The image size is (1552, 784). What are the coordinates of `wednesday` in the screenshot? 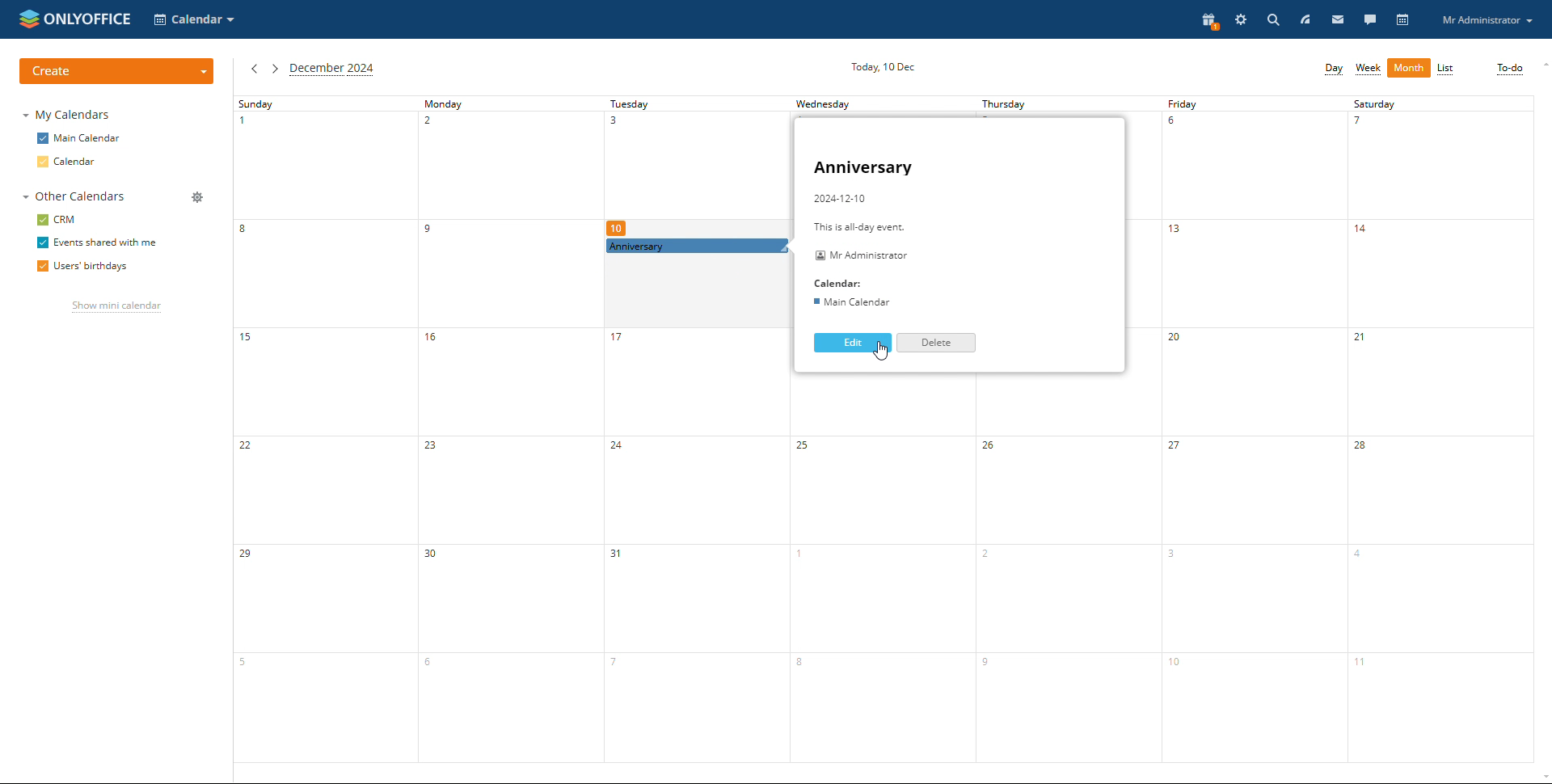 It's located at (889, 567).